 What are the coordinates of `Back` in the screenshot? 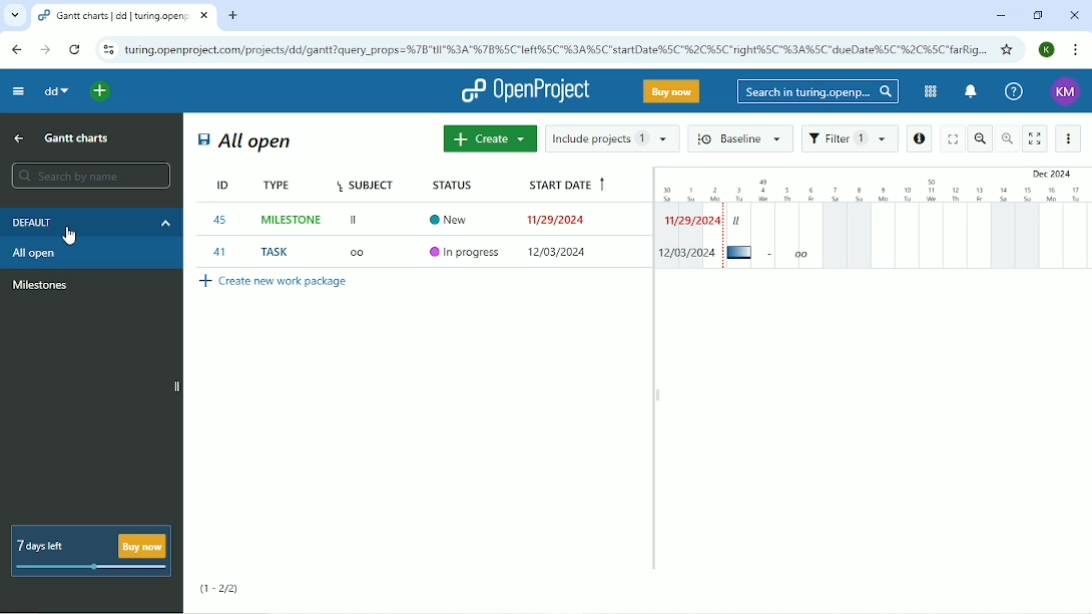 It's located at (19, 50).